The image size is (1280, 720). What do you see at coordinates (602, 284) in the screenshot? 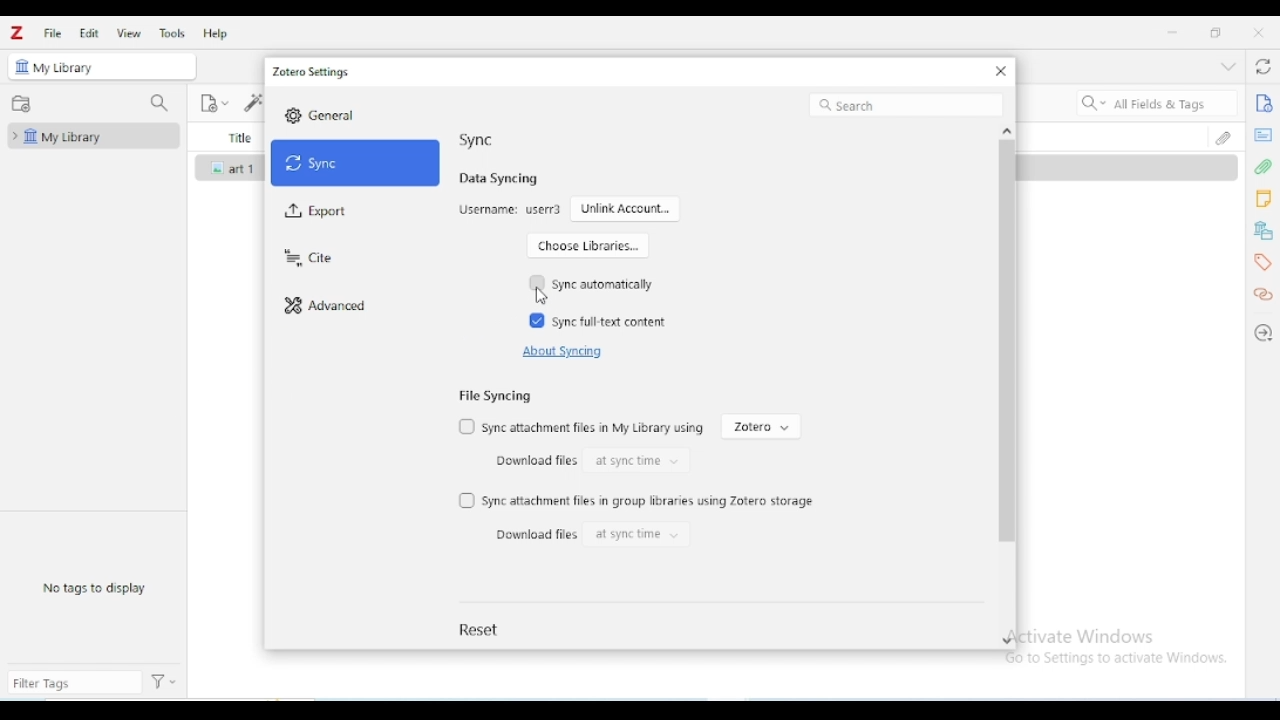
I see `sync automatically` at bounding box center [602, 284].